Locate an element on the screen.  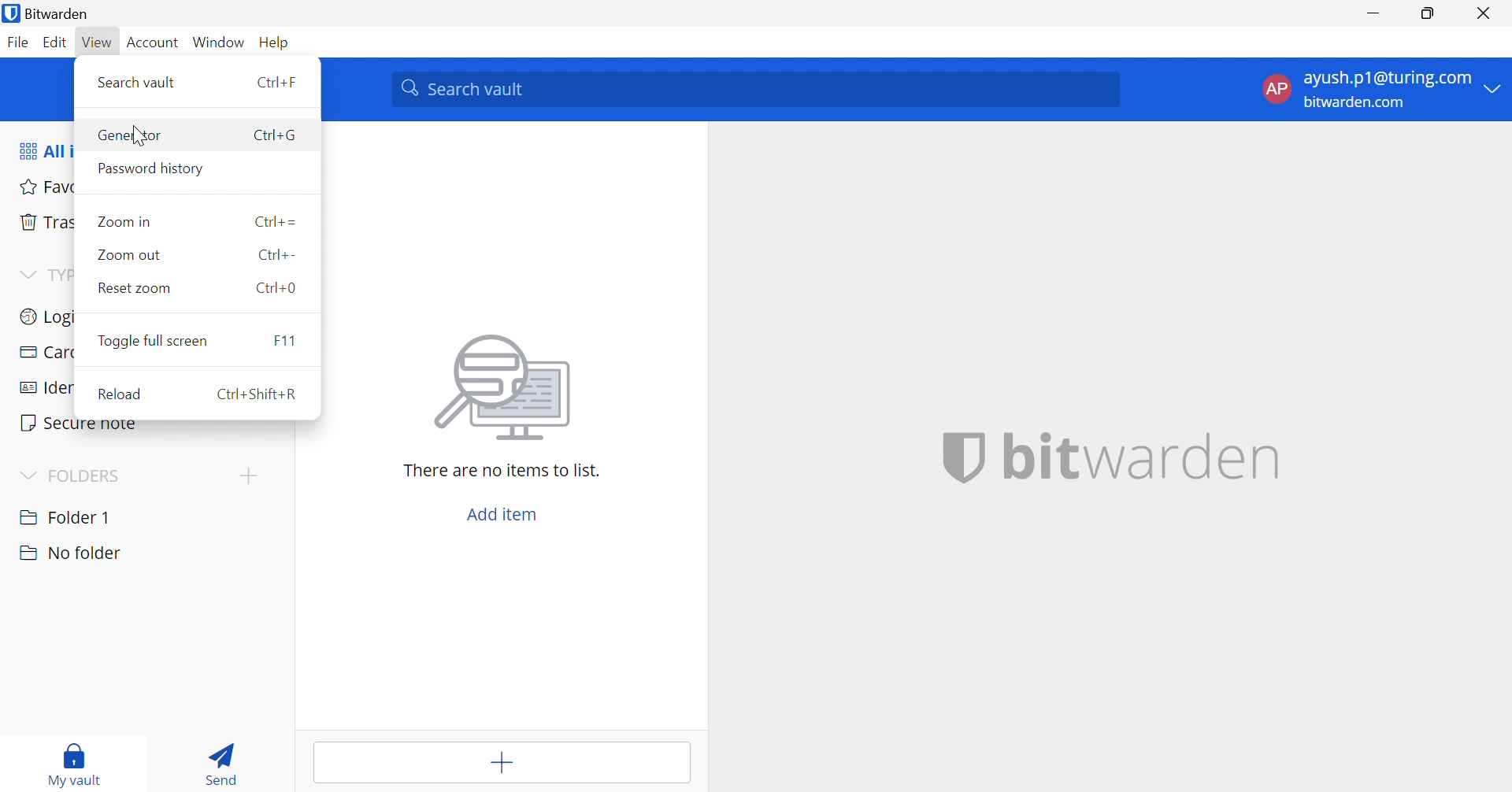
Folder is located at coordinates (67, 516).